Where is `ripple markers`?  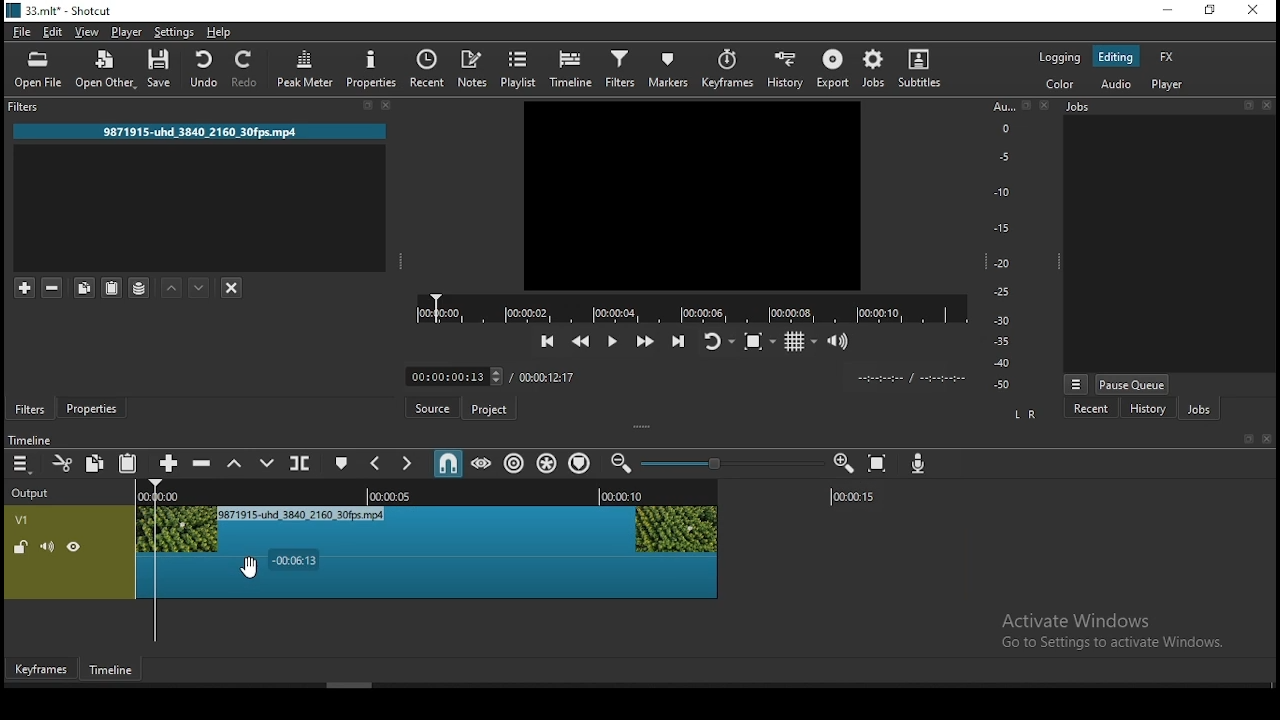 ripple markers is located at coordinates (582, 463).